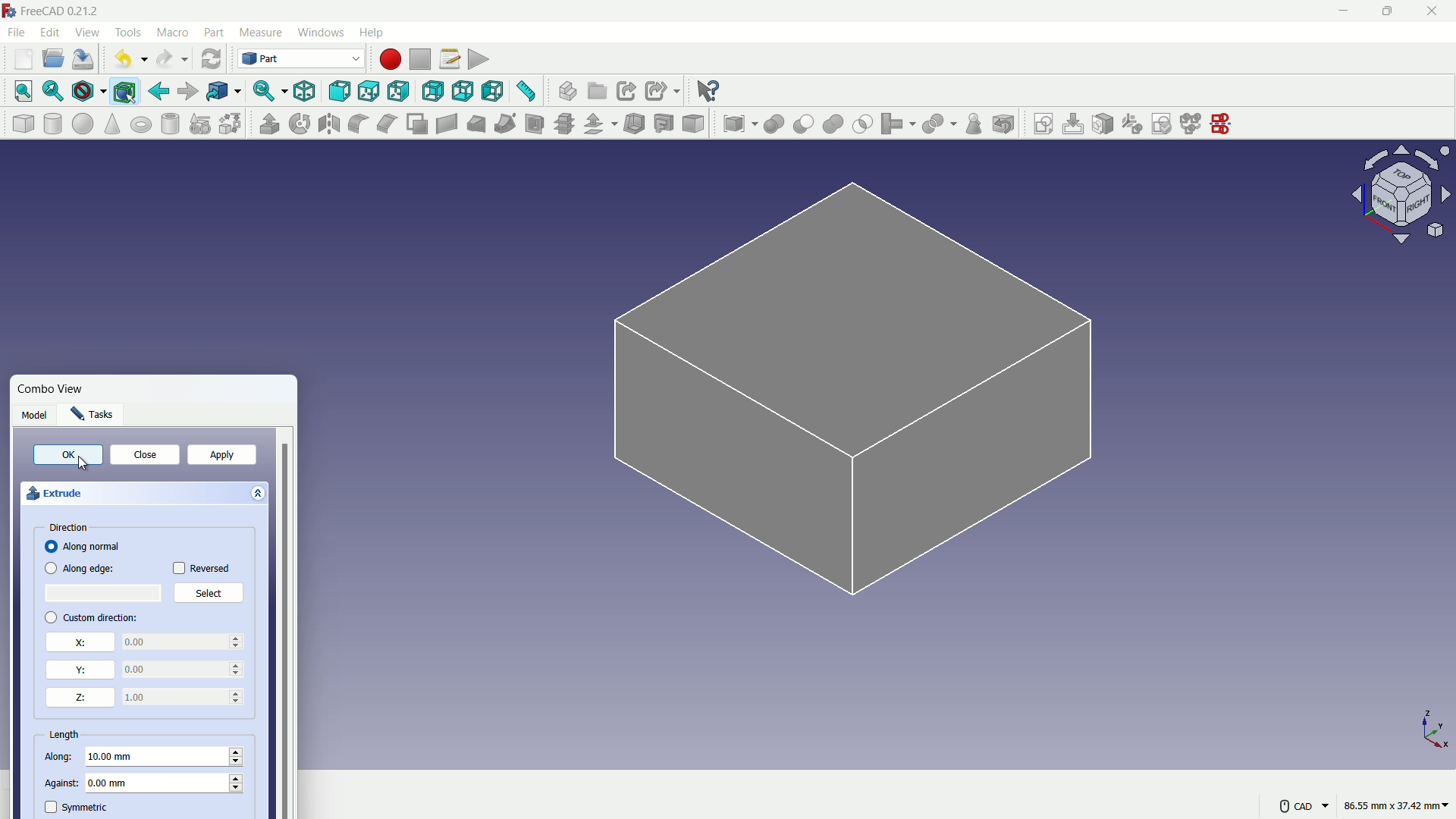 The height and width of the screenshot is (819, 1456). Describe the element at coordinates (62, 757) in the screenshot. I see `along length` at that location.